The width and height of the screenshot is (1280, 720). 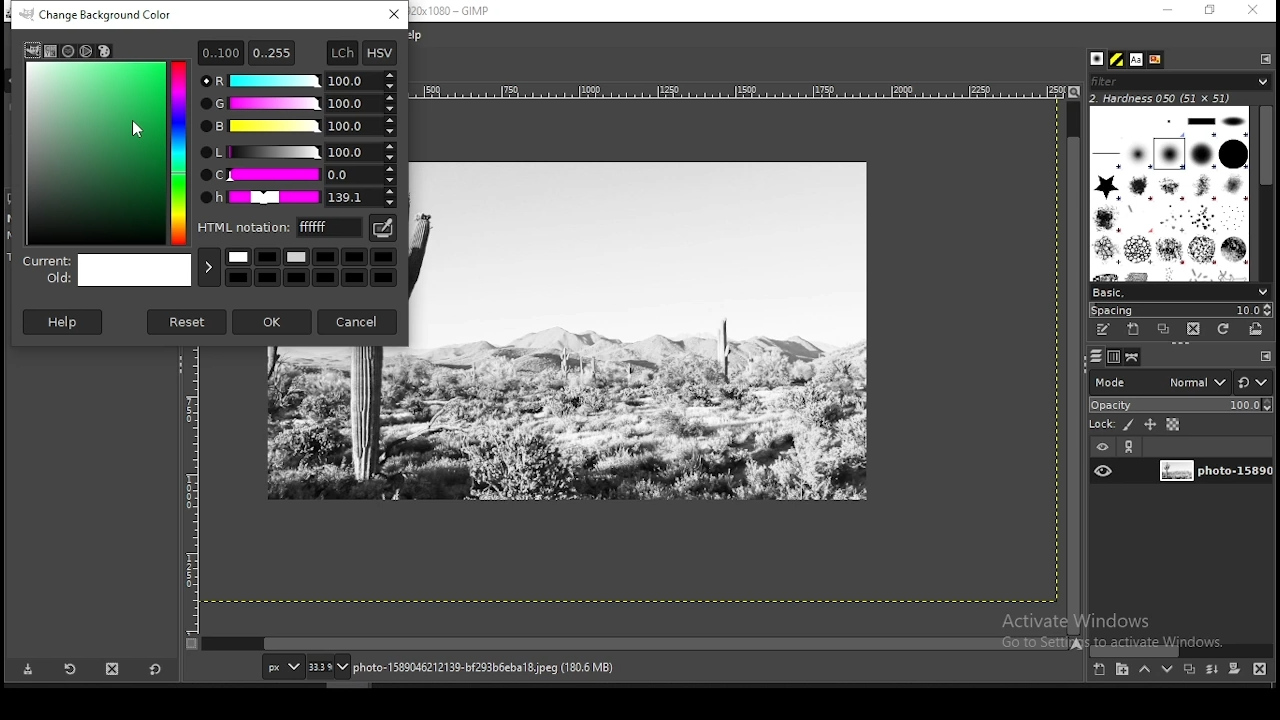 What do you see at coordinates (1144, 669) in the screenshot?
I see `move layer one step up` at bounding box center [1144, 669].